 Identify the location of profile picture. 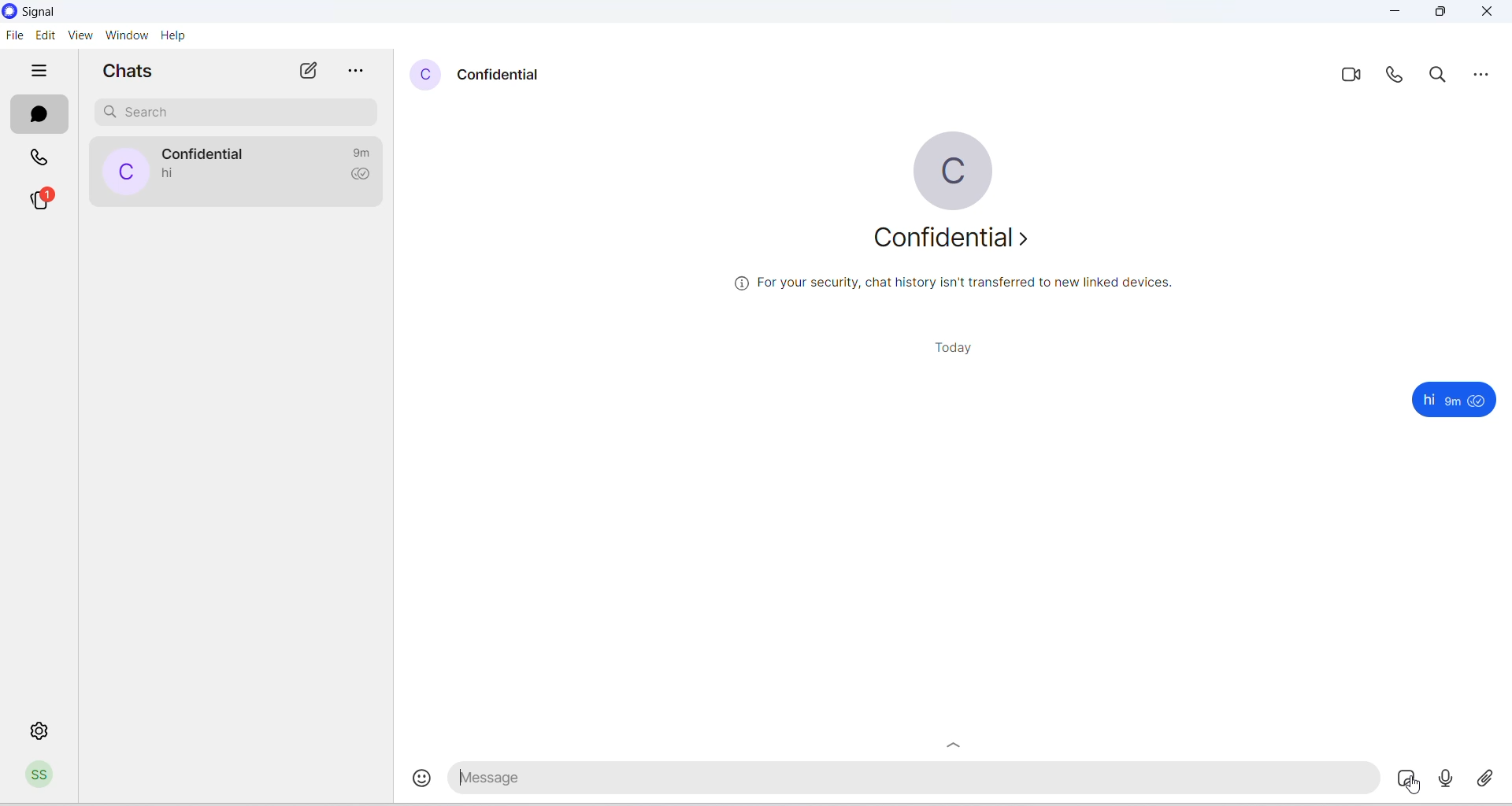
(124, 172).